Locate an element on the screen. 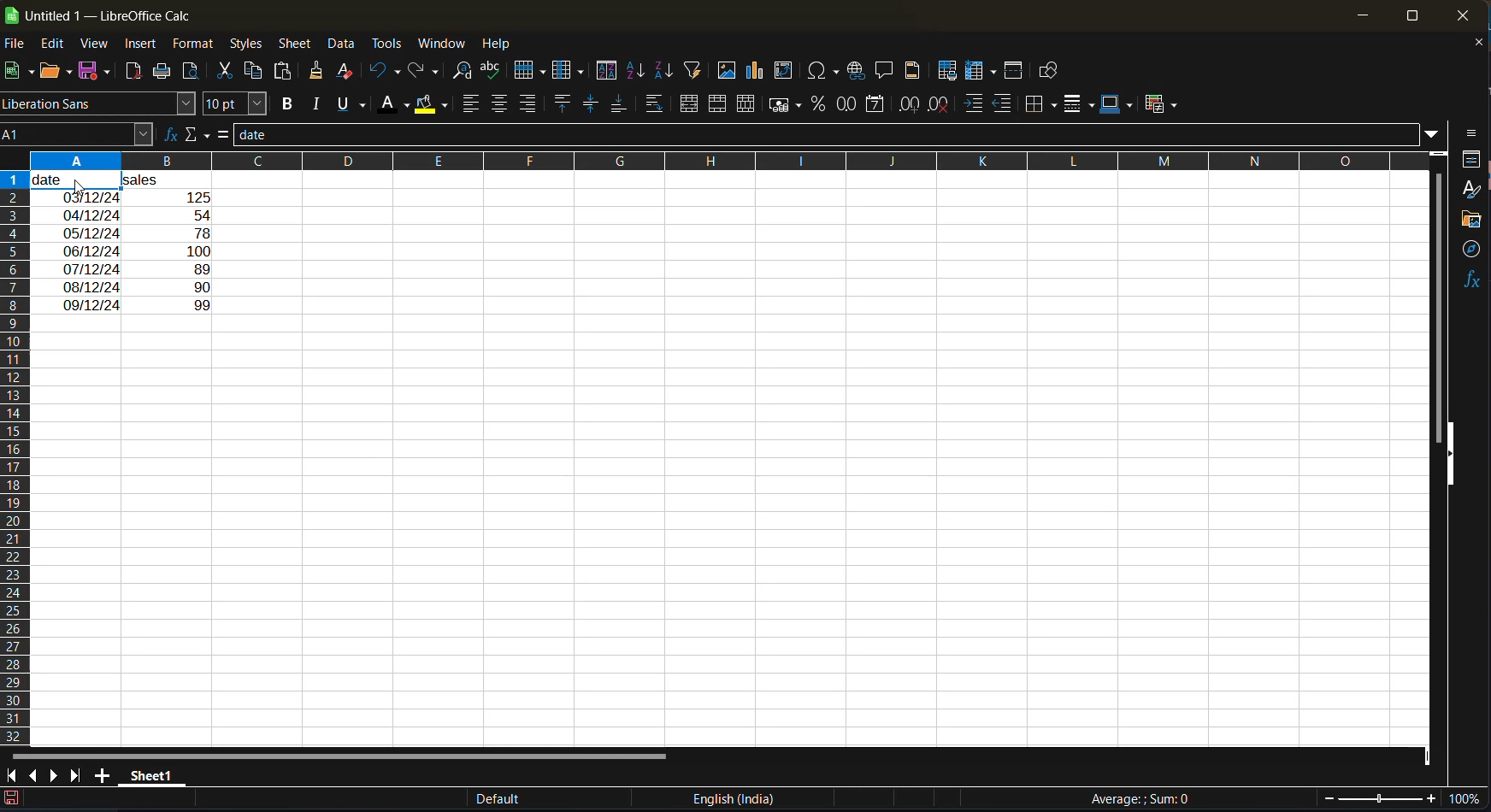 The image size is (1491, 812). scroll to last sheet is located at coordinates (79, 777).